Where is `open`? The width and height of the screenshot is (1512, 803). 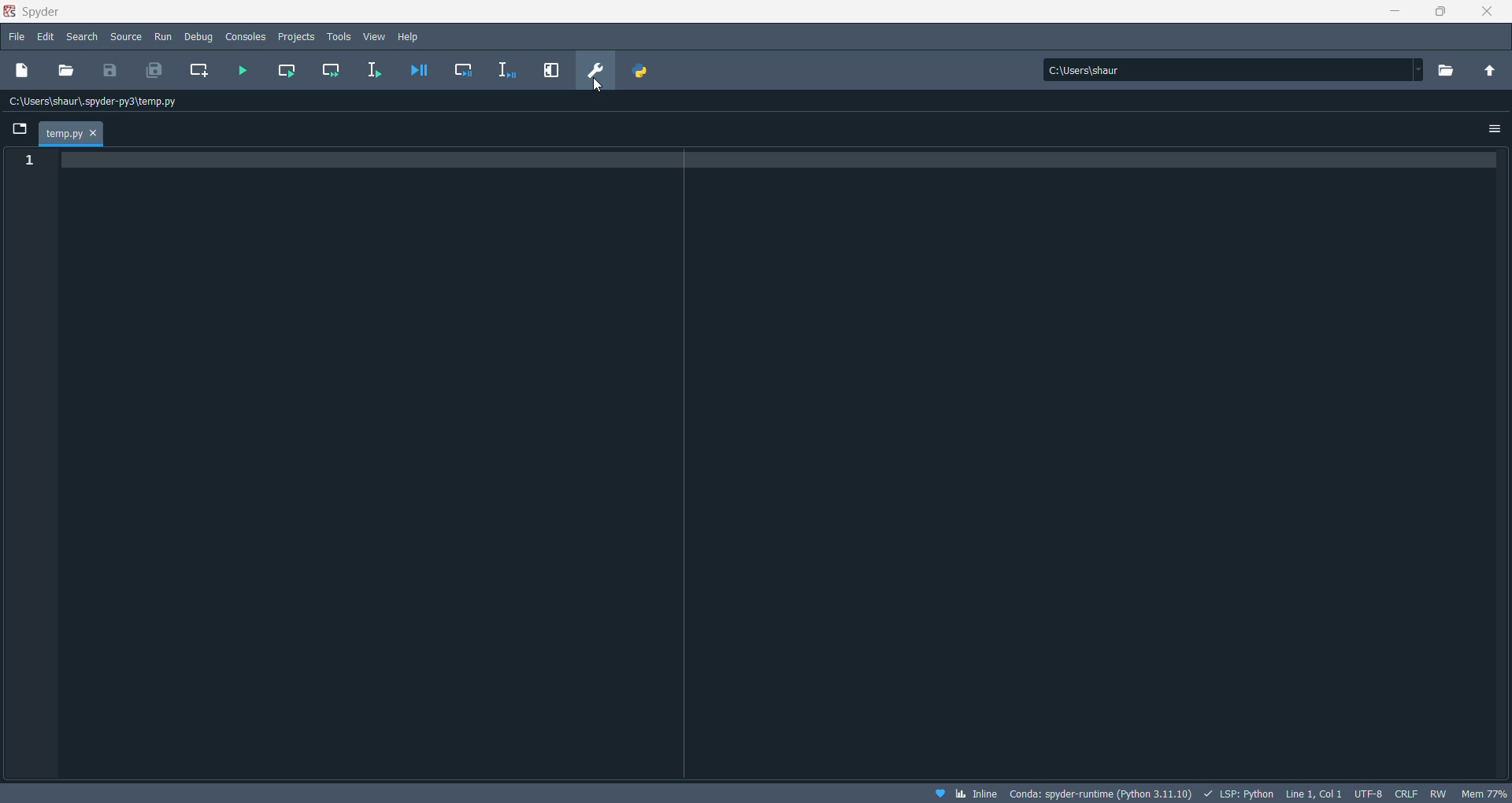 open is located at coordinates (67, 70).